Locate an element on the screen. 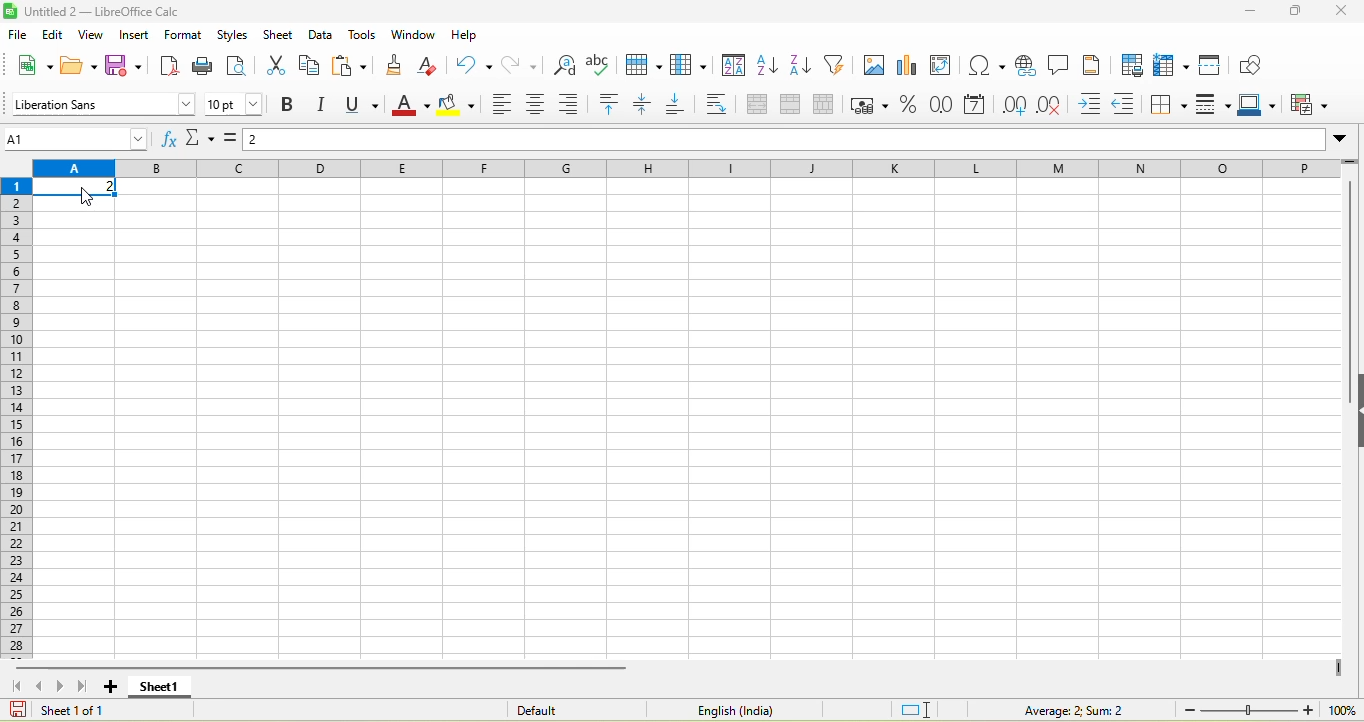 The height and width of the screenshot is (722, 1364). border color is located at coordinates (1261, 106).